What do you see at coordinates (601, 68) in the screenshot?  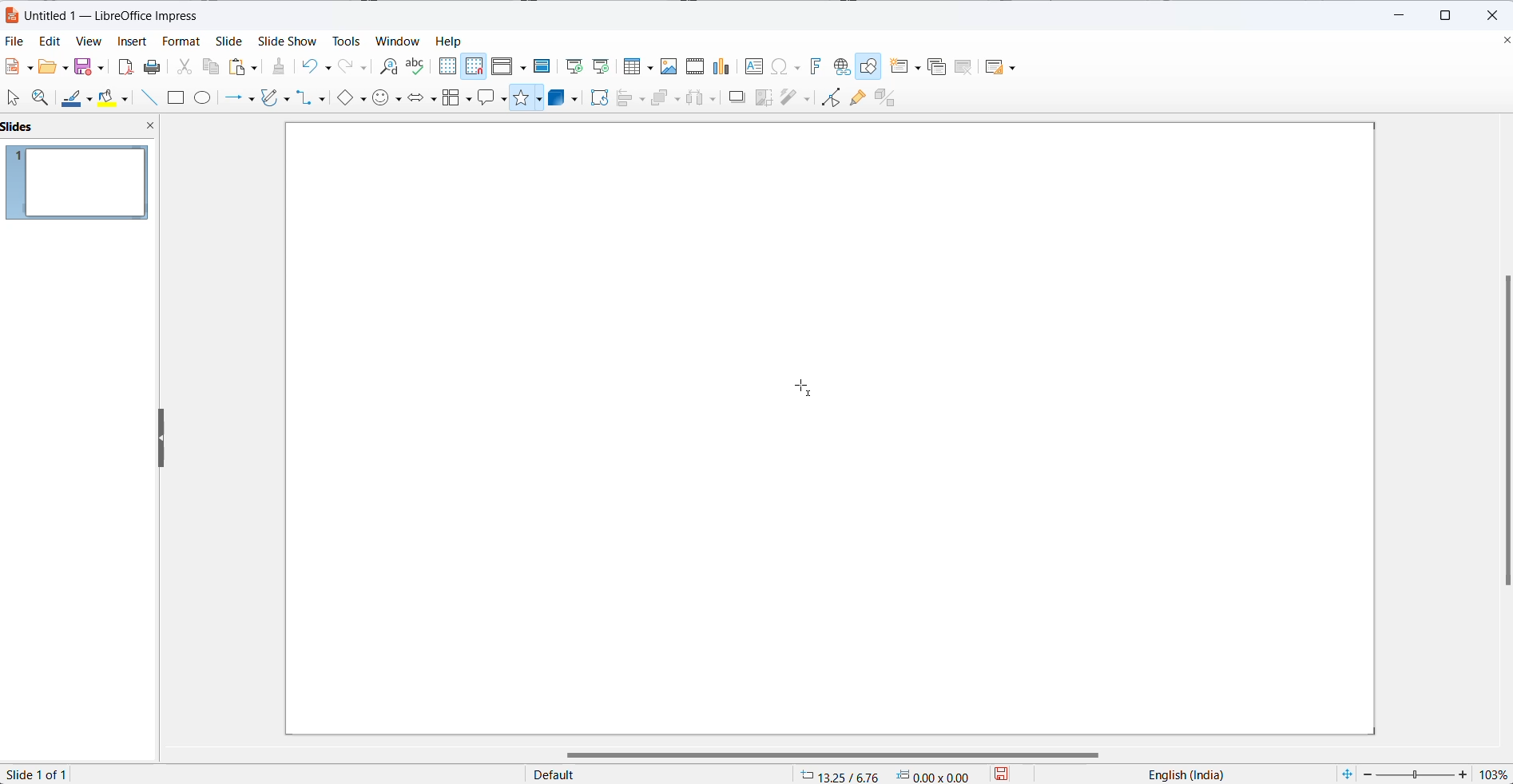 I see `start from current slide` at bounding box center [601, 68].